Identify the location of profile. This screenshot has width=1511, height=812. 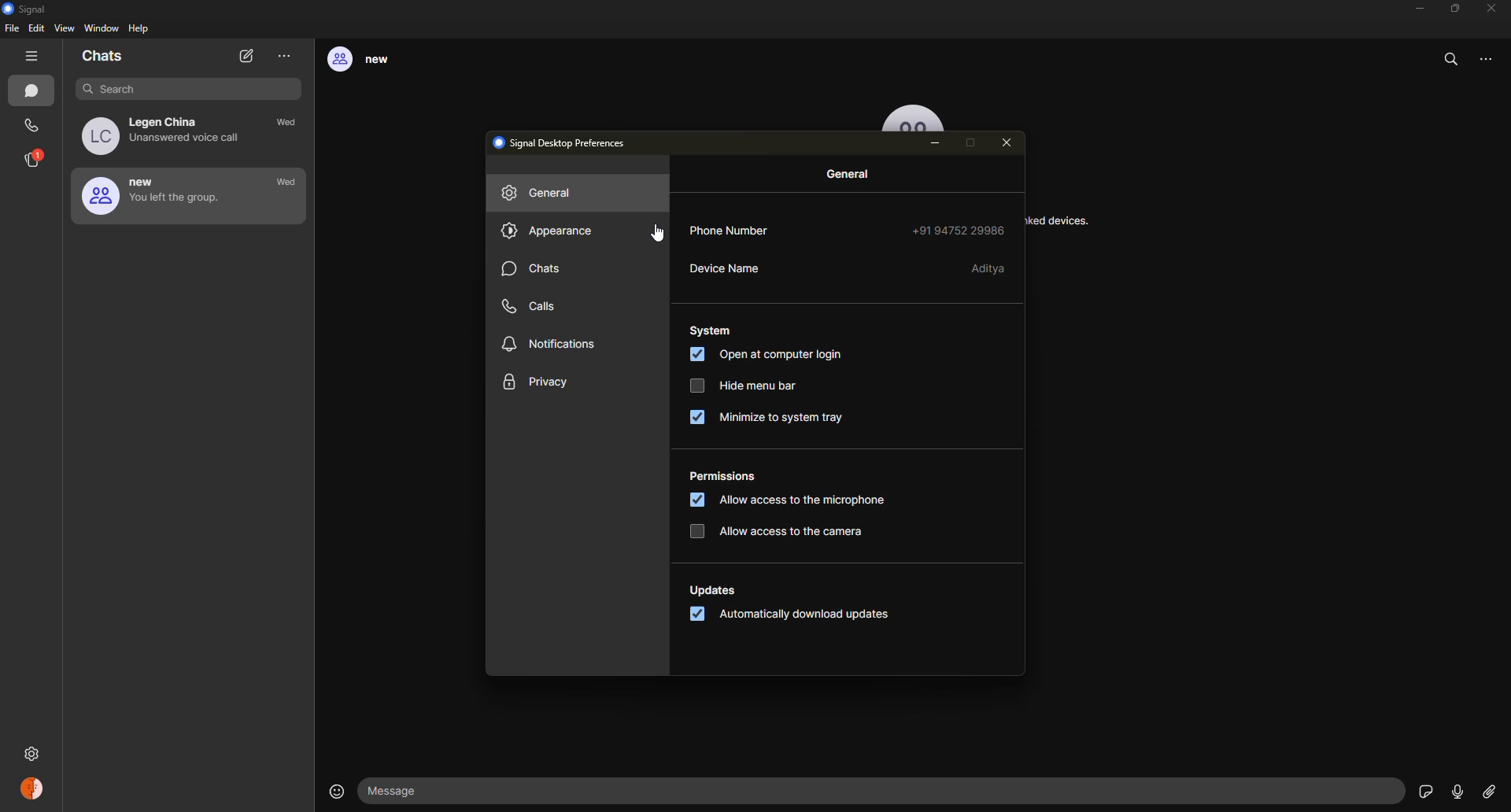
(34, 791).